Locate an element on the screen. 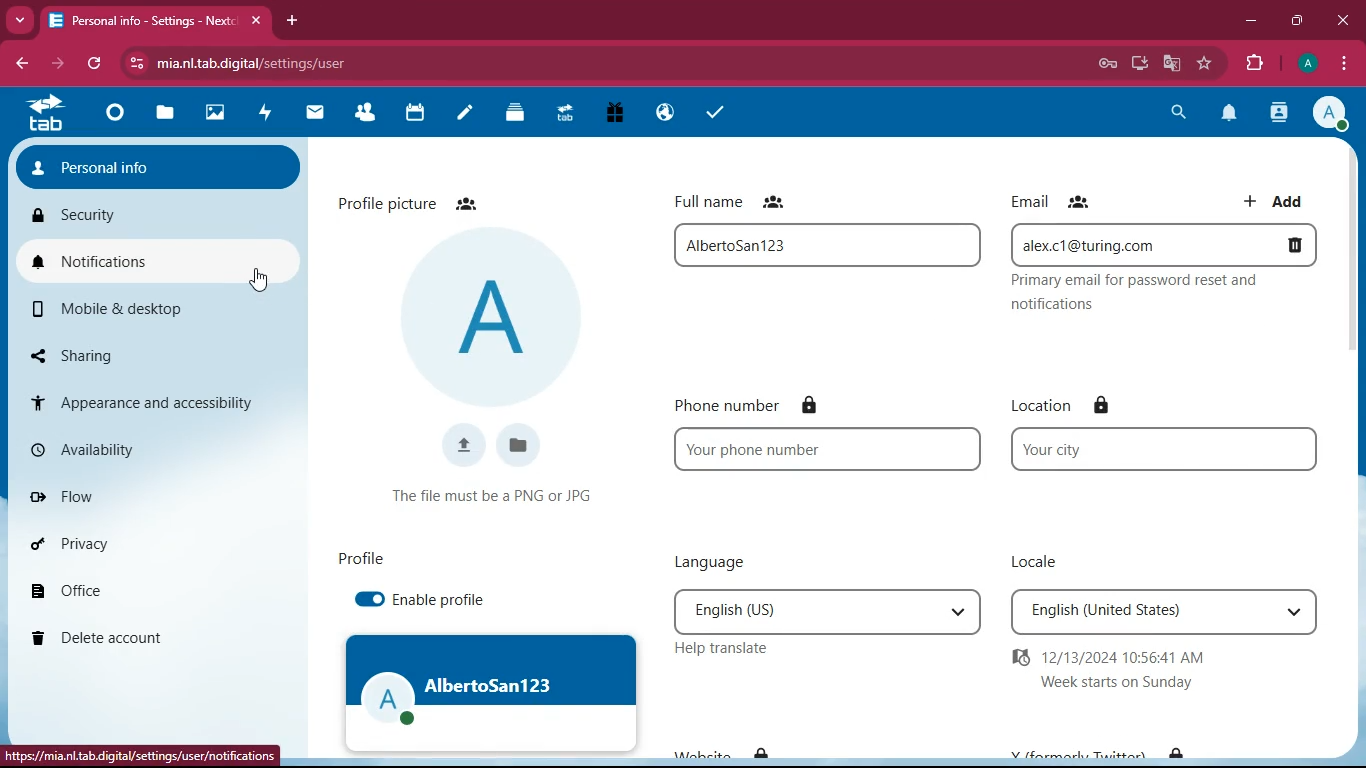  images is located at coordinates (219, 115).